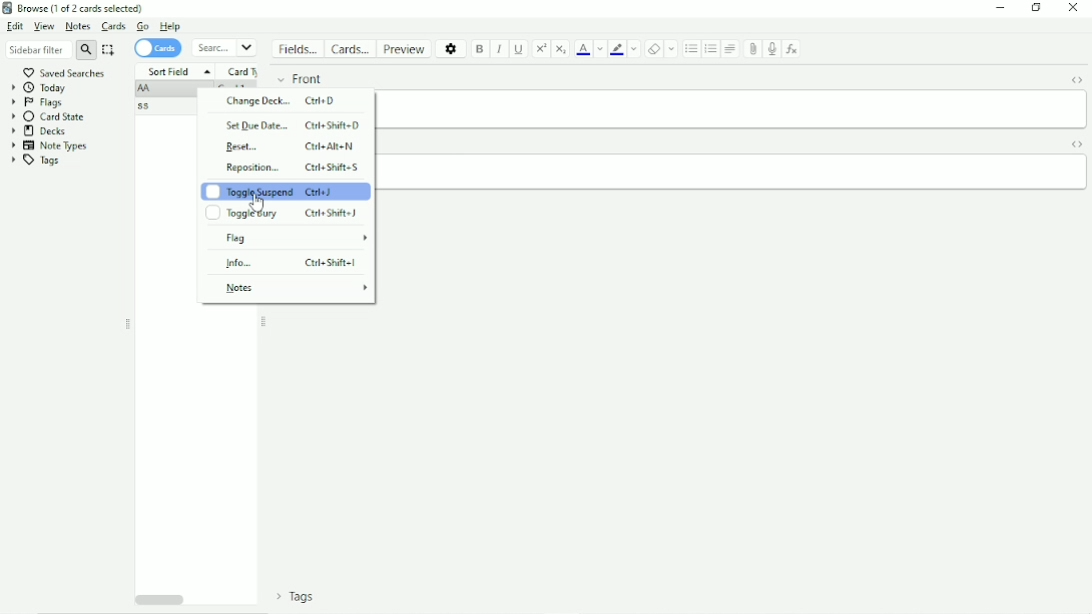  What do you see at coordinates (774, 49) in the screenshot?
I see `Record audio` at bounding box center [774, 49].